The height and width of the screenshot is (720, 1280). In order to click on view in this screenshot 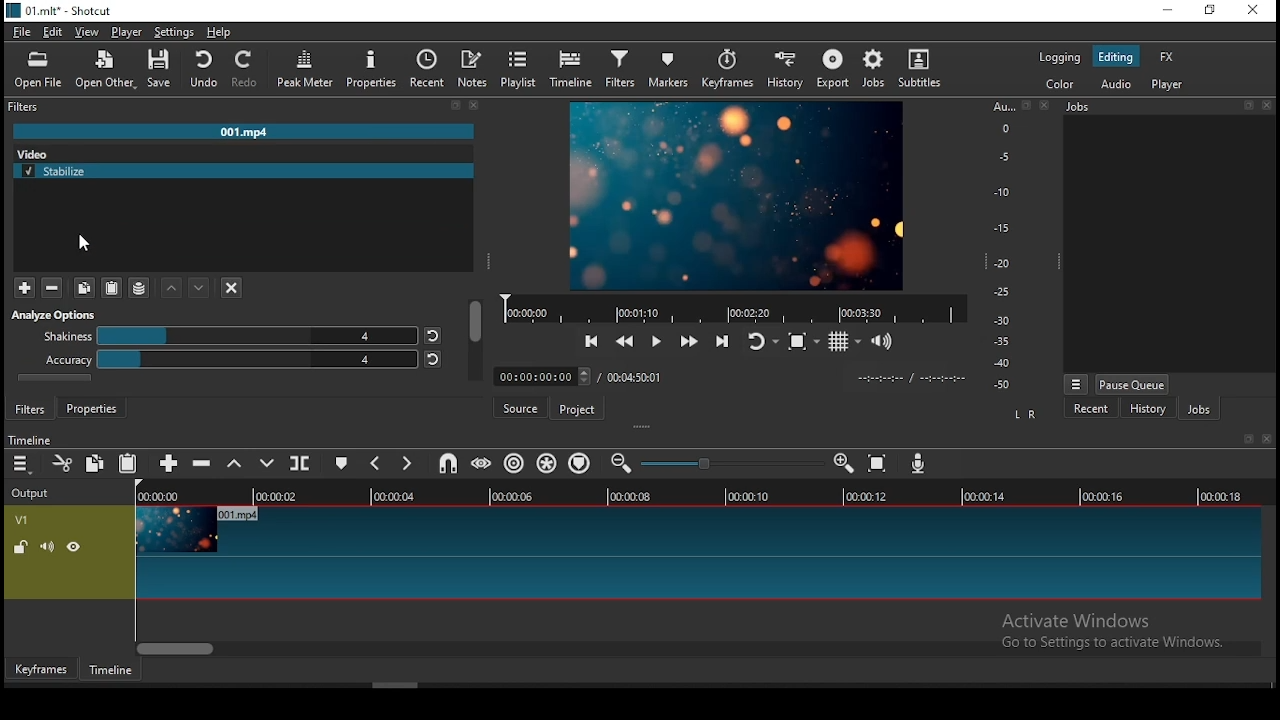, I will do `click(88, 33)`.